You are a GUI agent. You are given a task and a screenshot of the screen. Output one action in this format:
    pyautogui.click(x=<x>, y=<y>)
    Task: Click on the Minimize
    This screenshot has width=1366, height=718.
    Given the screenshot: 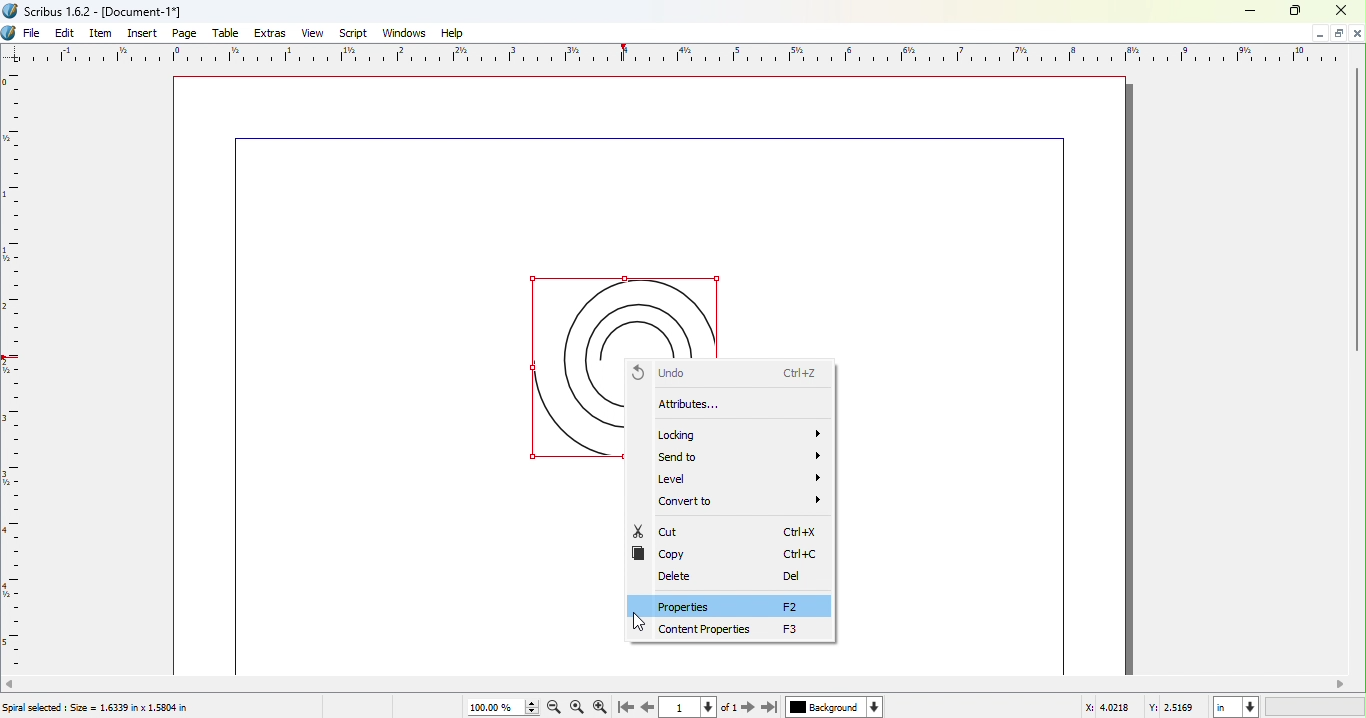 What is the action you would take?
    pyautogui.click(x=1337, y=33)
    